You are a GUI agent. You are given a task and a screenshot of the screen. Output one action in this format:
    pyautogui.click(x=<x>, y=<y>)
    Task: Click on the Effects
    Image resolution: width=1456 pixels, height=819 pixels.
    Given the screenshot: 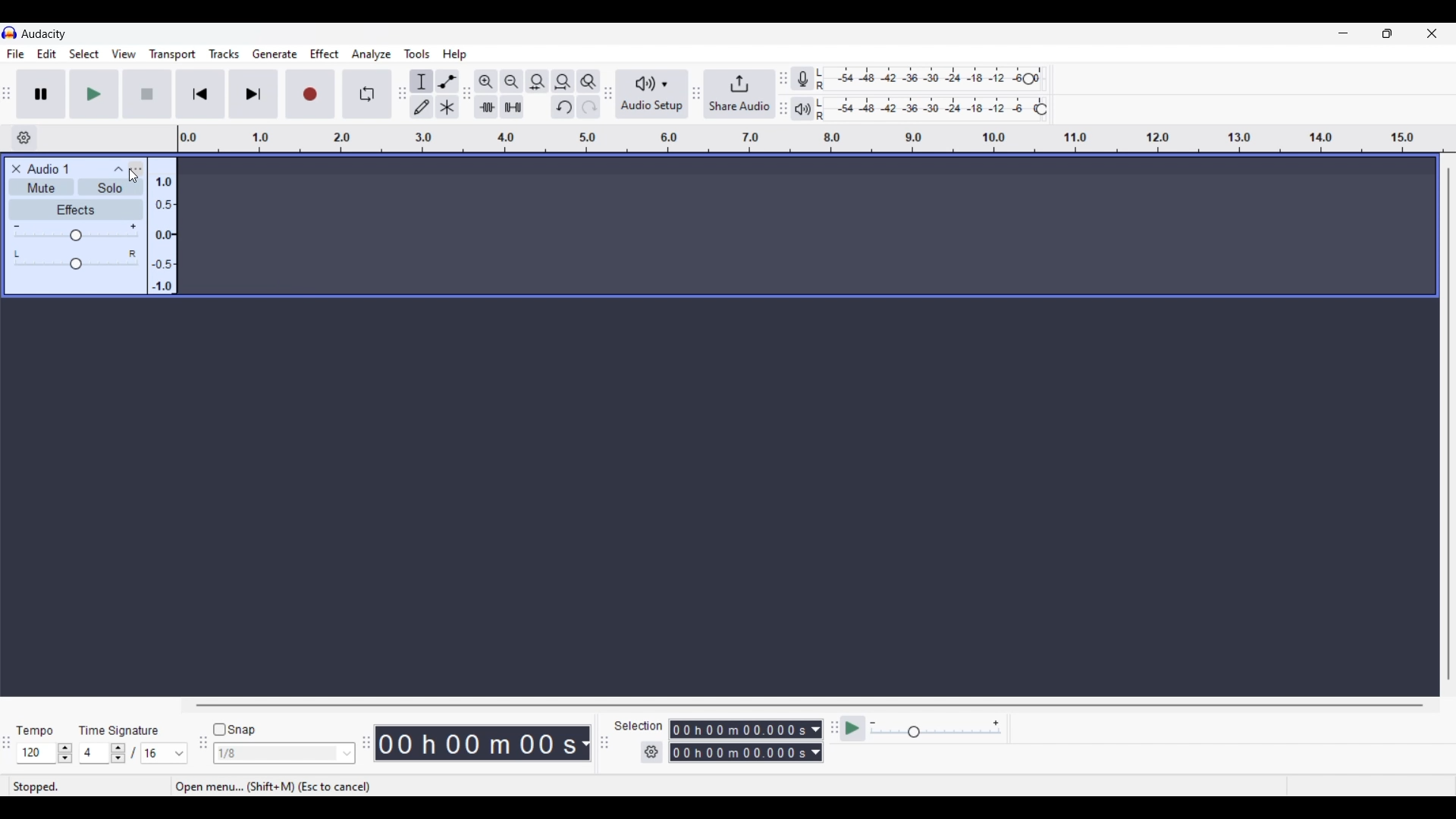 What is the action you would take?
    pyautogui.click(x=75, y=209)
    